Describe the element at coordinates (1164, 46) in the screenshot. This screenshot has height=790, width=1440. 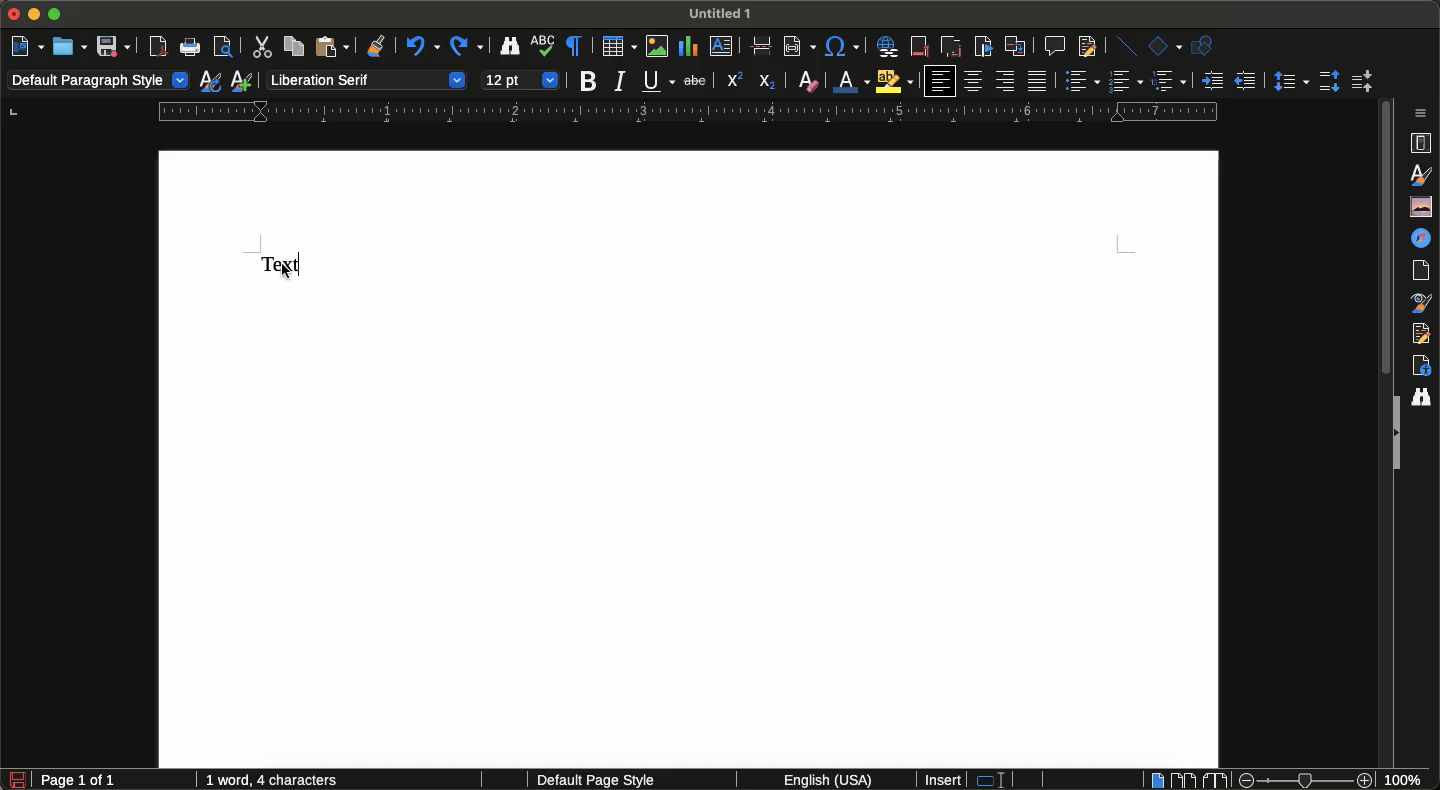
I see `Basic shapes` at that location.